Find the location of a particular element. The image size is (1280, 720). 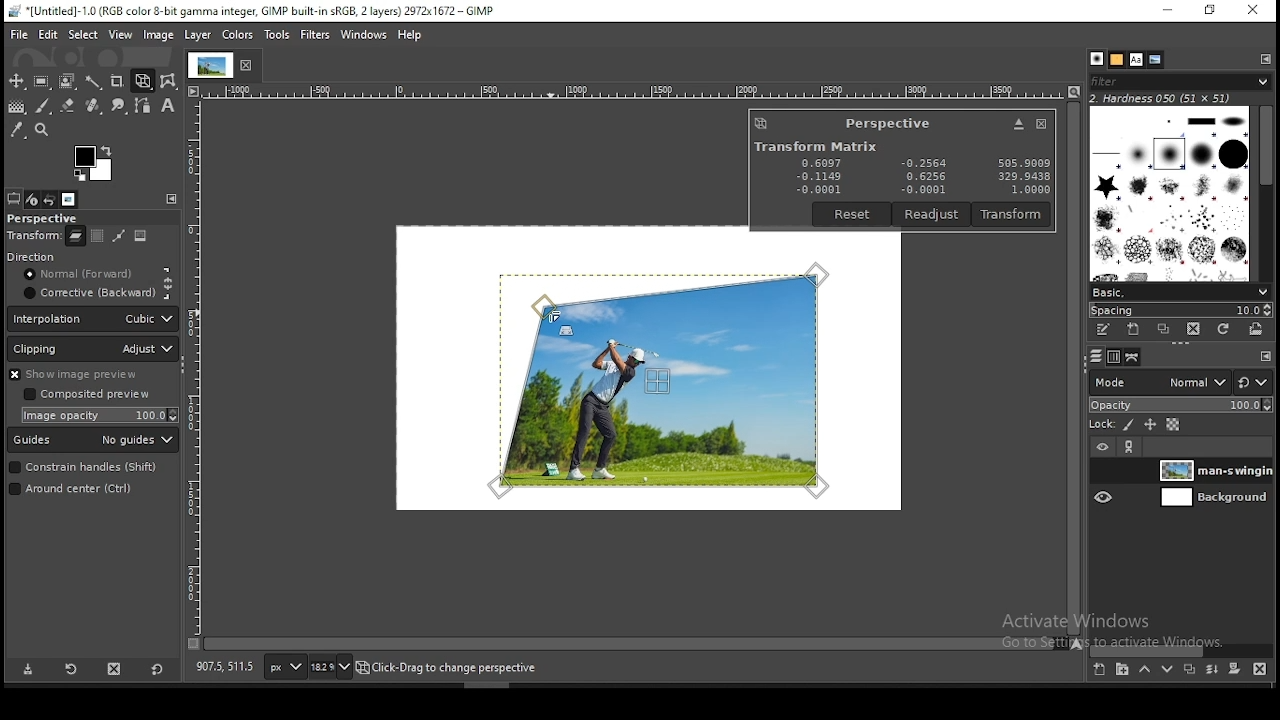

lock size and position is located at coordinates (1148, 425).